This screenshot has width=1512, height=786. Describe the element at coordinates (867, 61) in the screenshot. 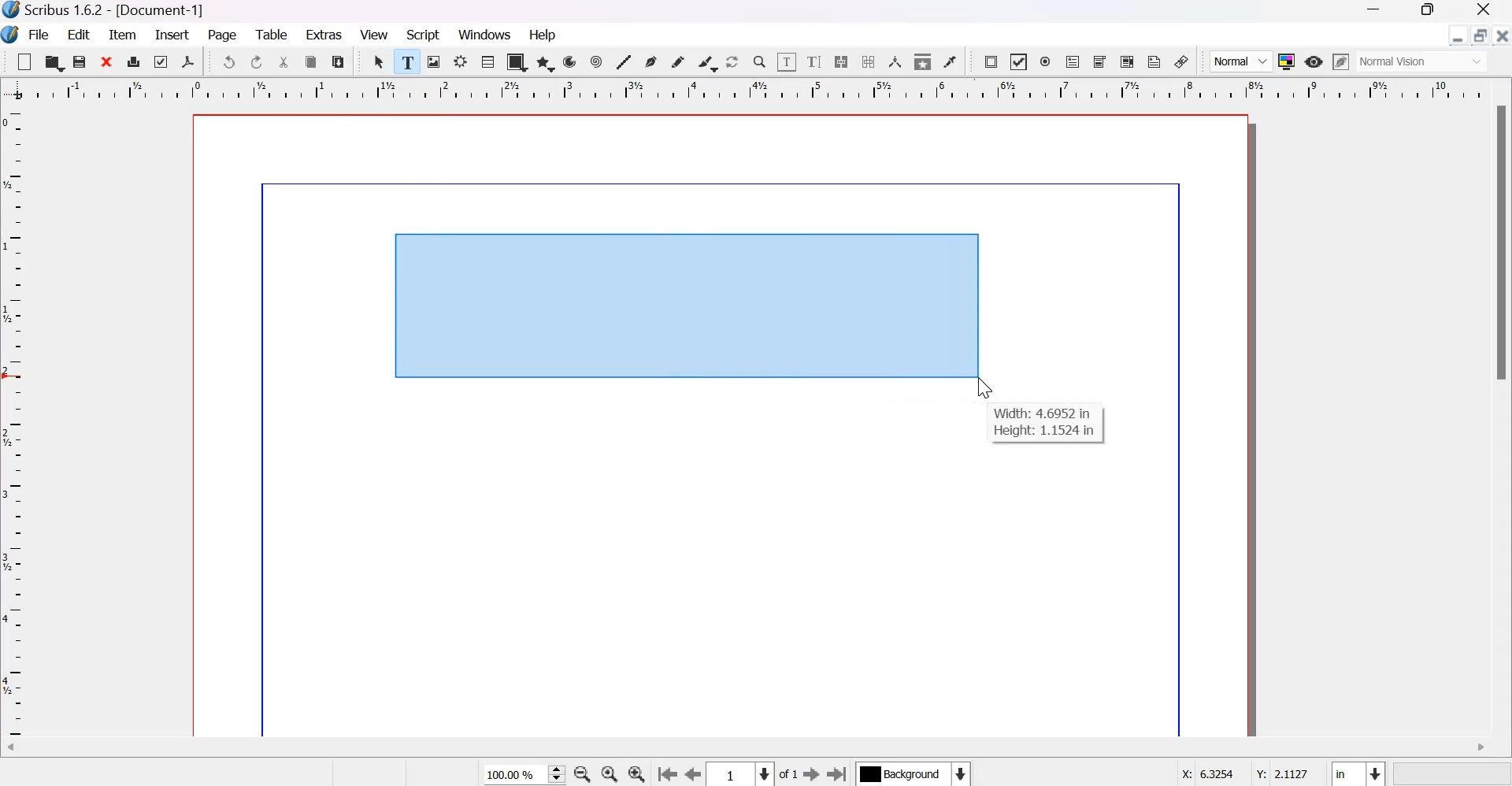

I see `unlink text frames` at that location.